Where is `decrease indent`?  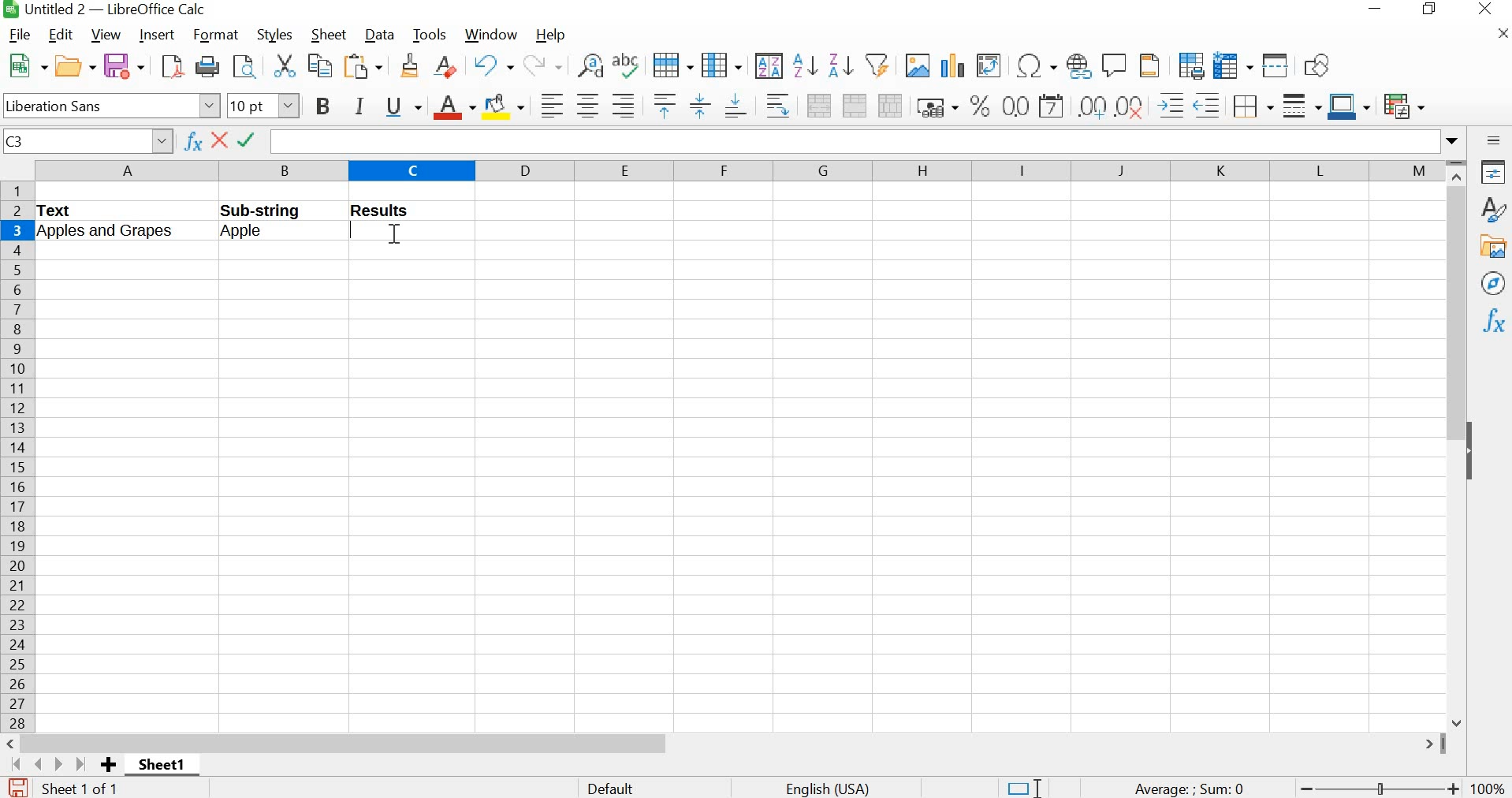 decrease indent is located at coordinates (1207, 104).